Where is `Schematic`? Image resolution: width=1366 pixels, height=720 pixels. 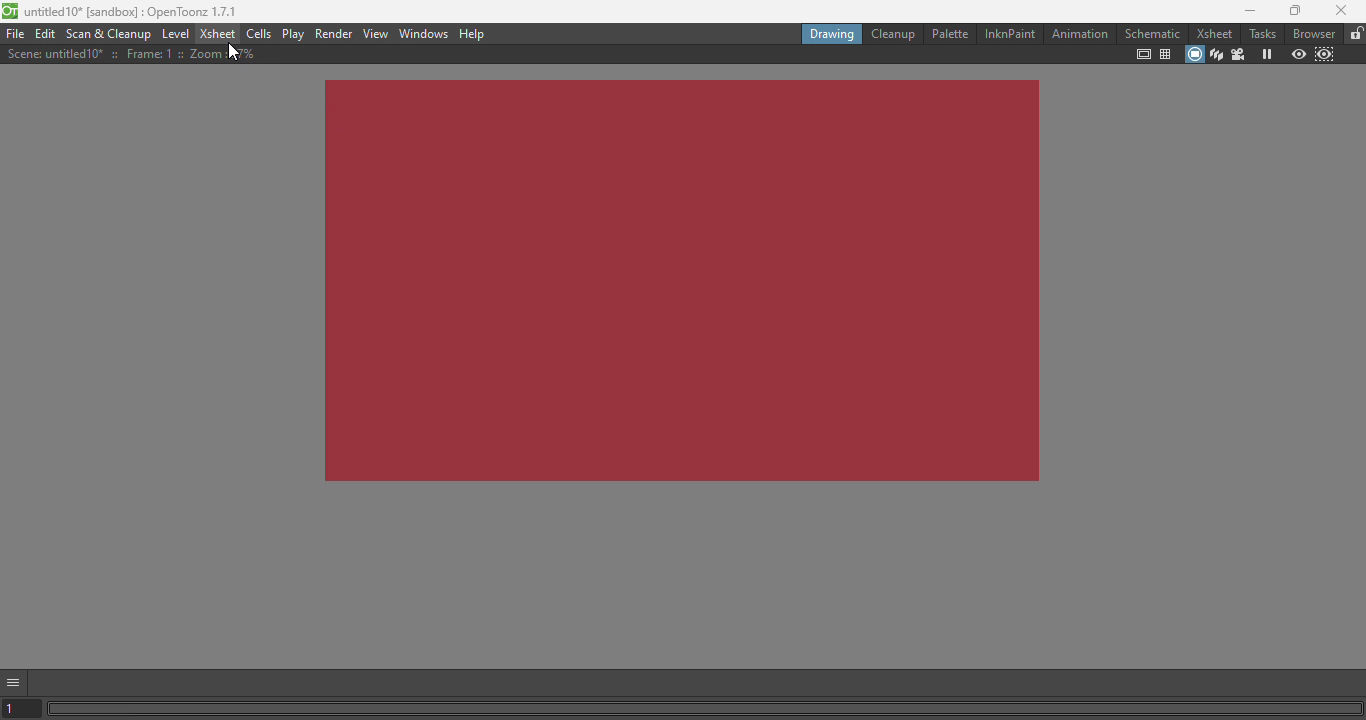 Schematic is located at coordinates (1153, 33).